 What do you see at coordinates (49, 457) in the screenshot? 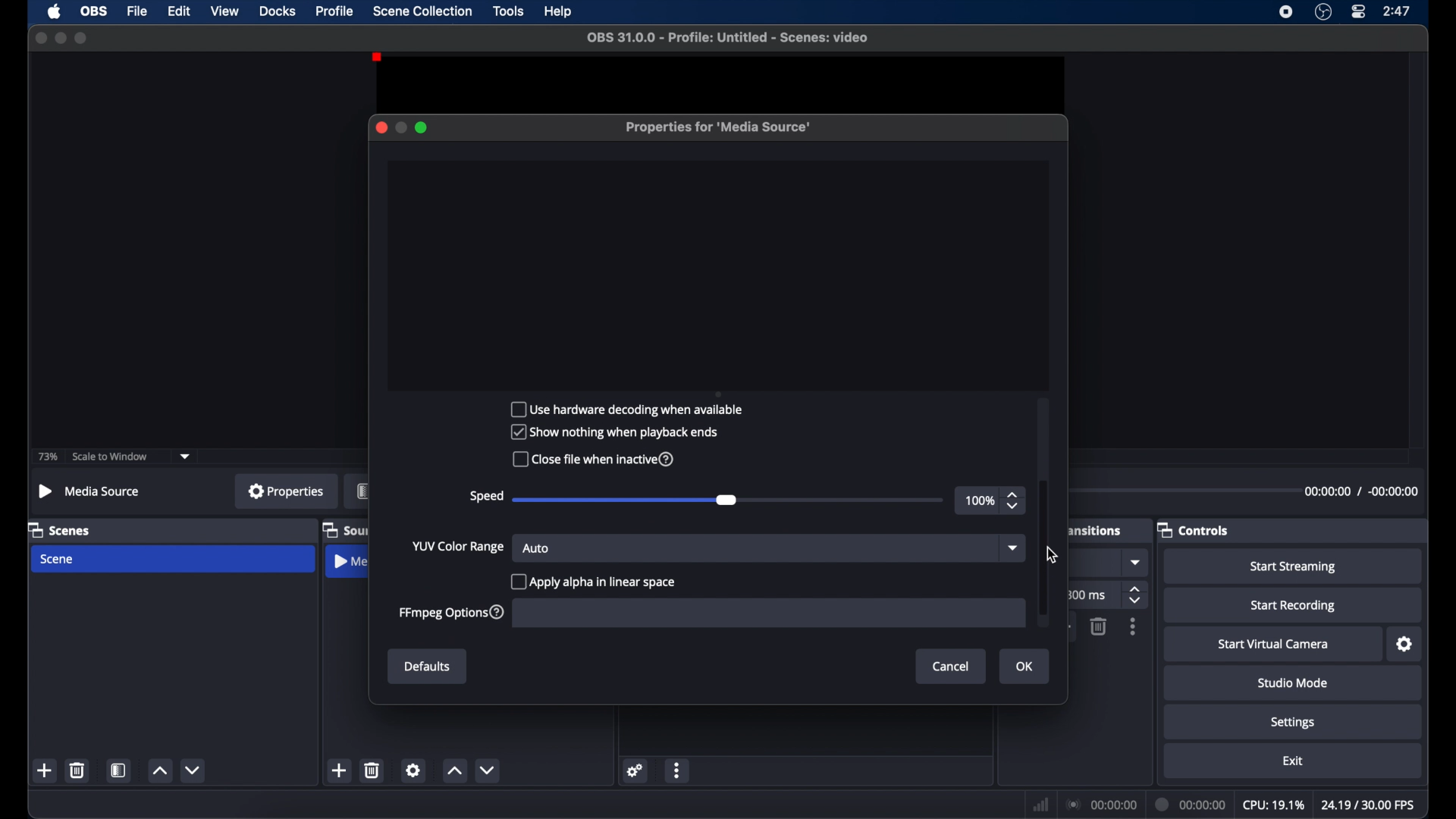
I see `73%` at bounding box center [49, 457].